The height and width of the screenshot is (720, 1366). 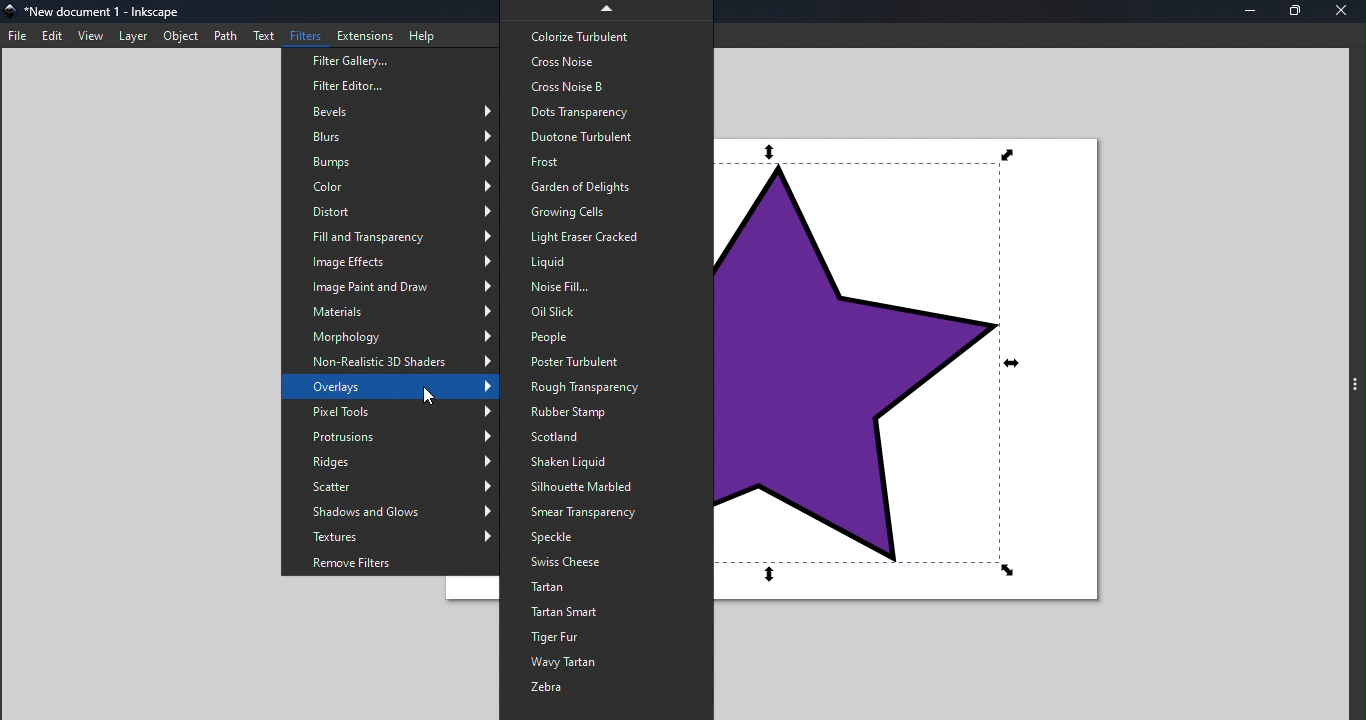 What do you see at coordinates (606, 111) in the screenshot?
I see `Dots transparency` at bounding box center [606, 111].